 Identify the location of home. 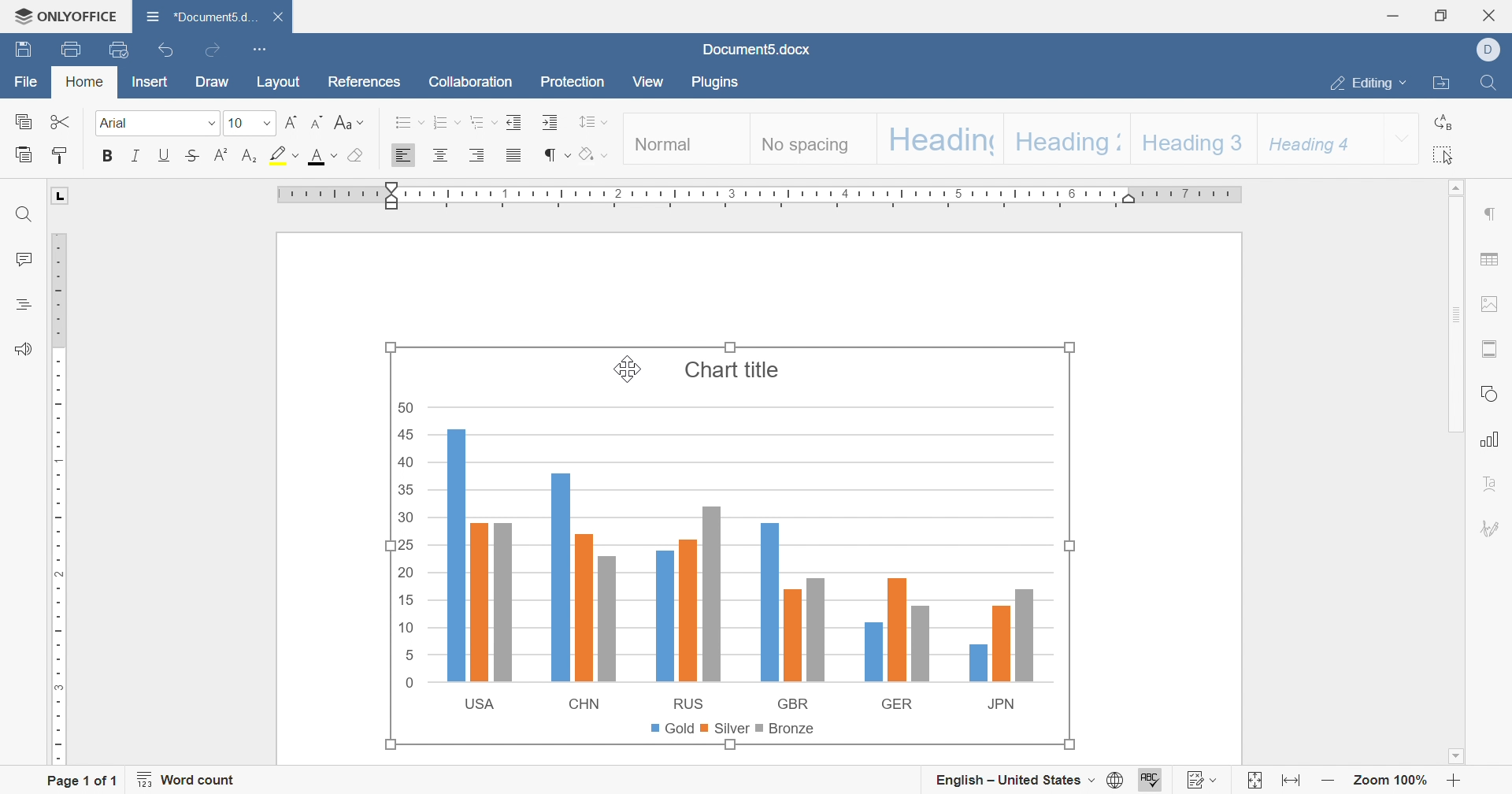
(85, 80).